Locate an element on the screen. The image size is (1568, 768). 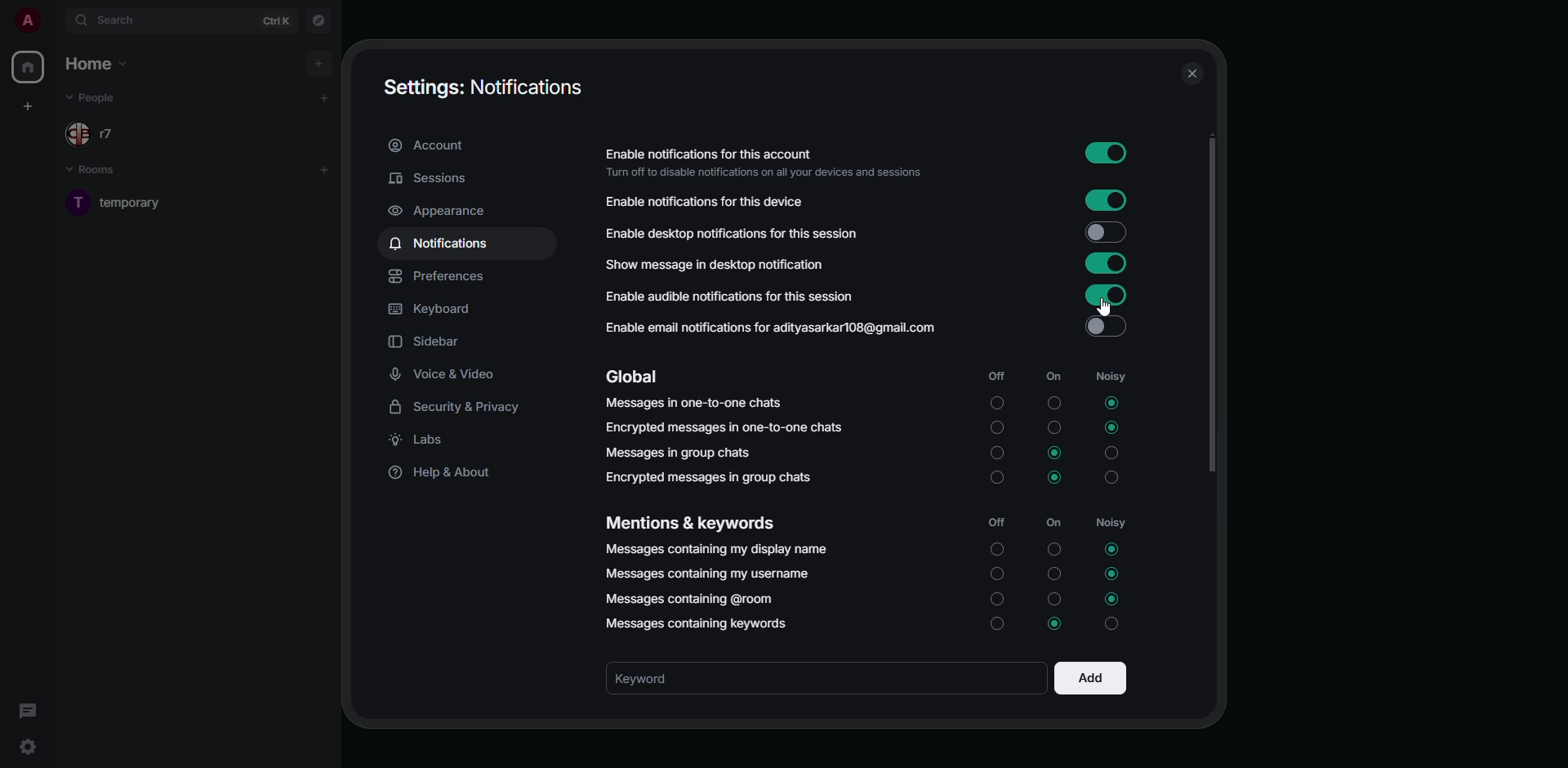
messages containing name is located at coordinates (717, 551).